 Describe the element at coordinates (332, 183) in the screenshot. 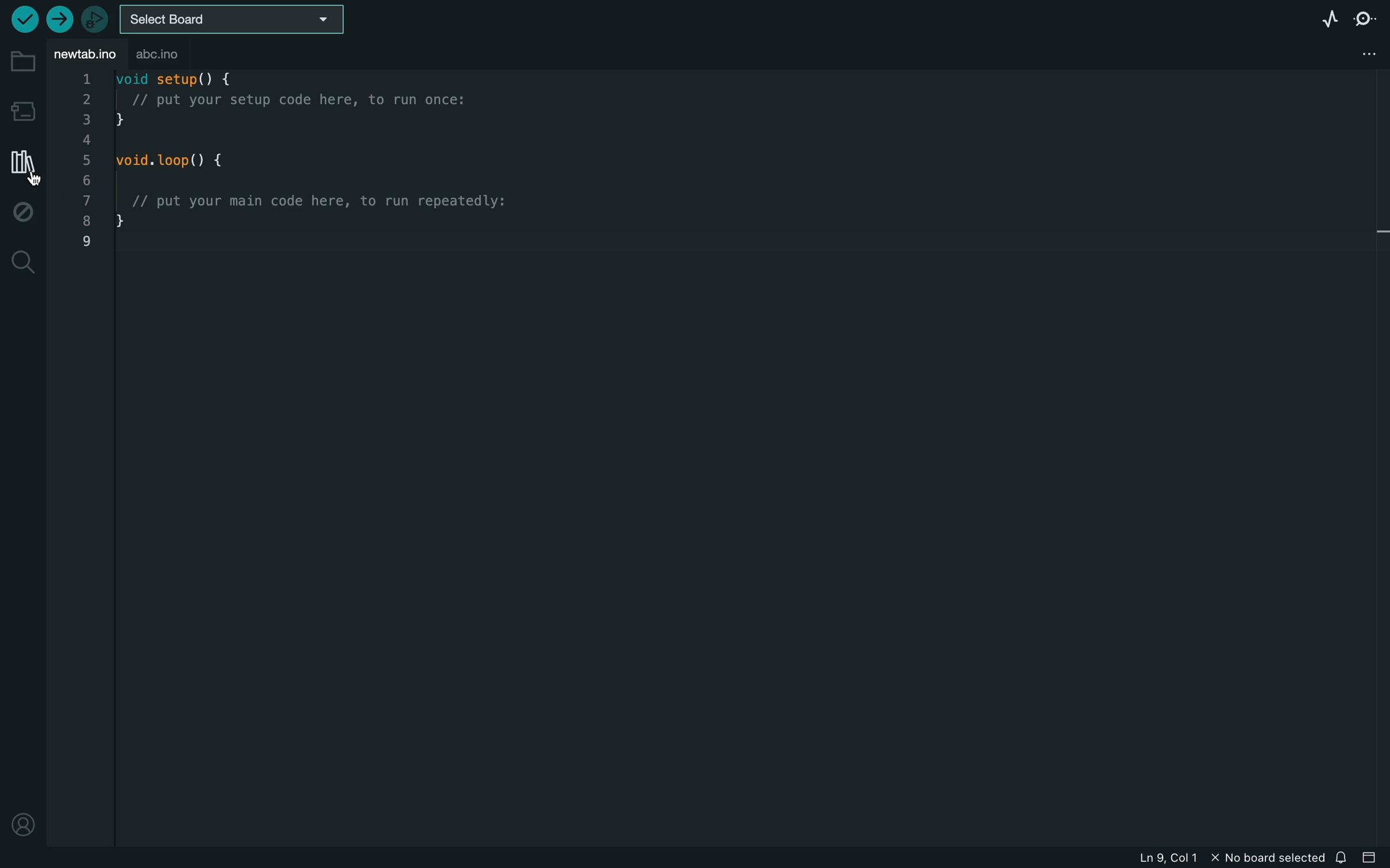

I see `code` at that location.